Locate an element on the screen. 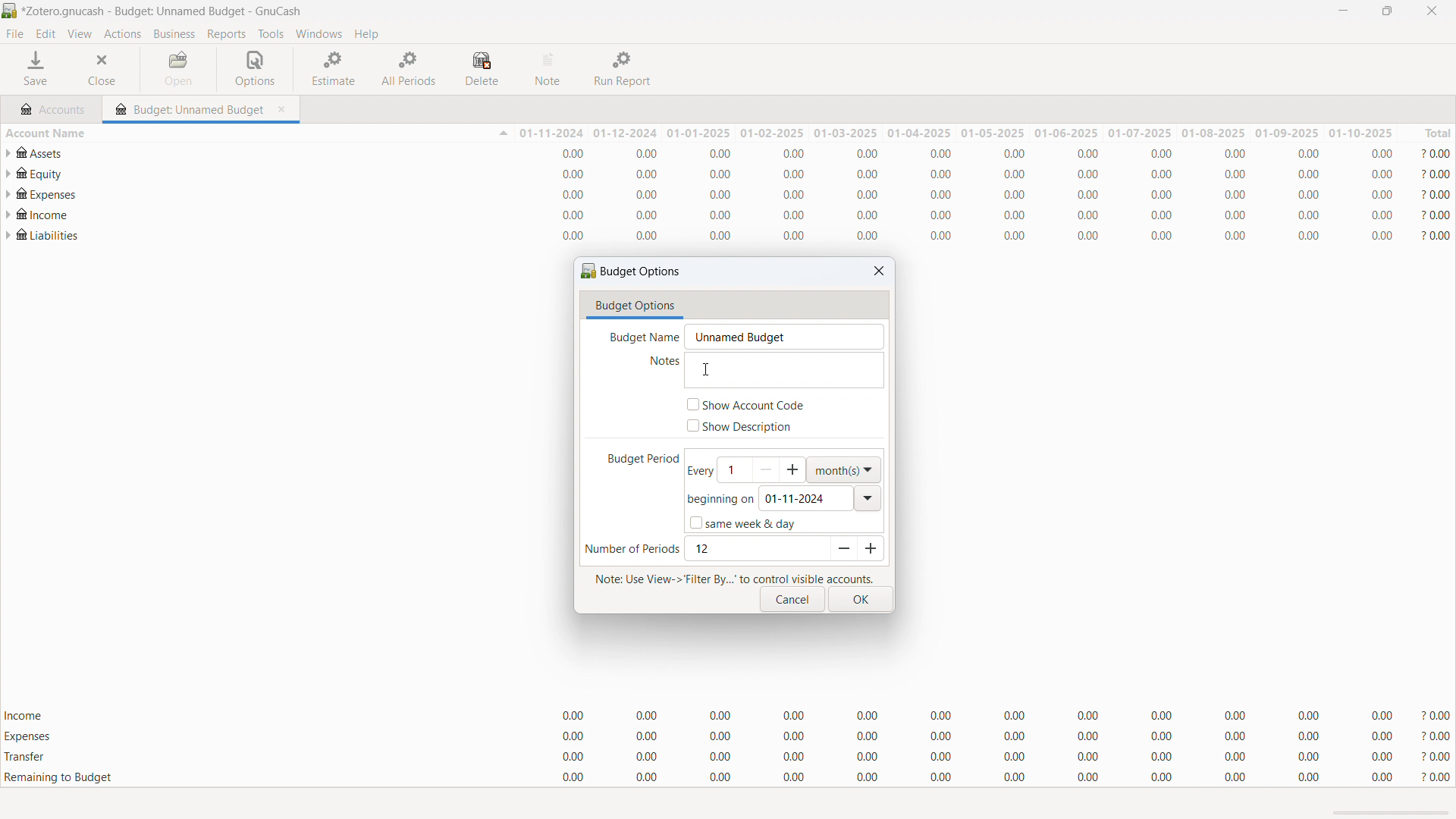  decrease period is located at coordinates (840, 549).